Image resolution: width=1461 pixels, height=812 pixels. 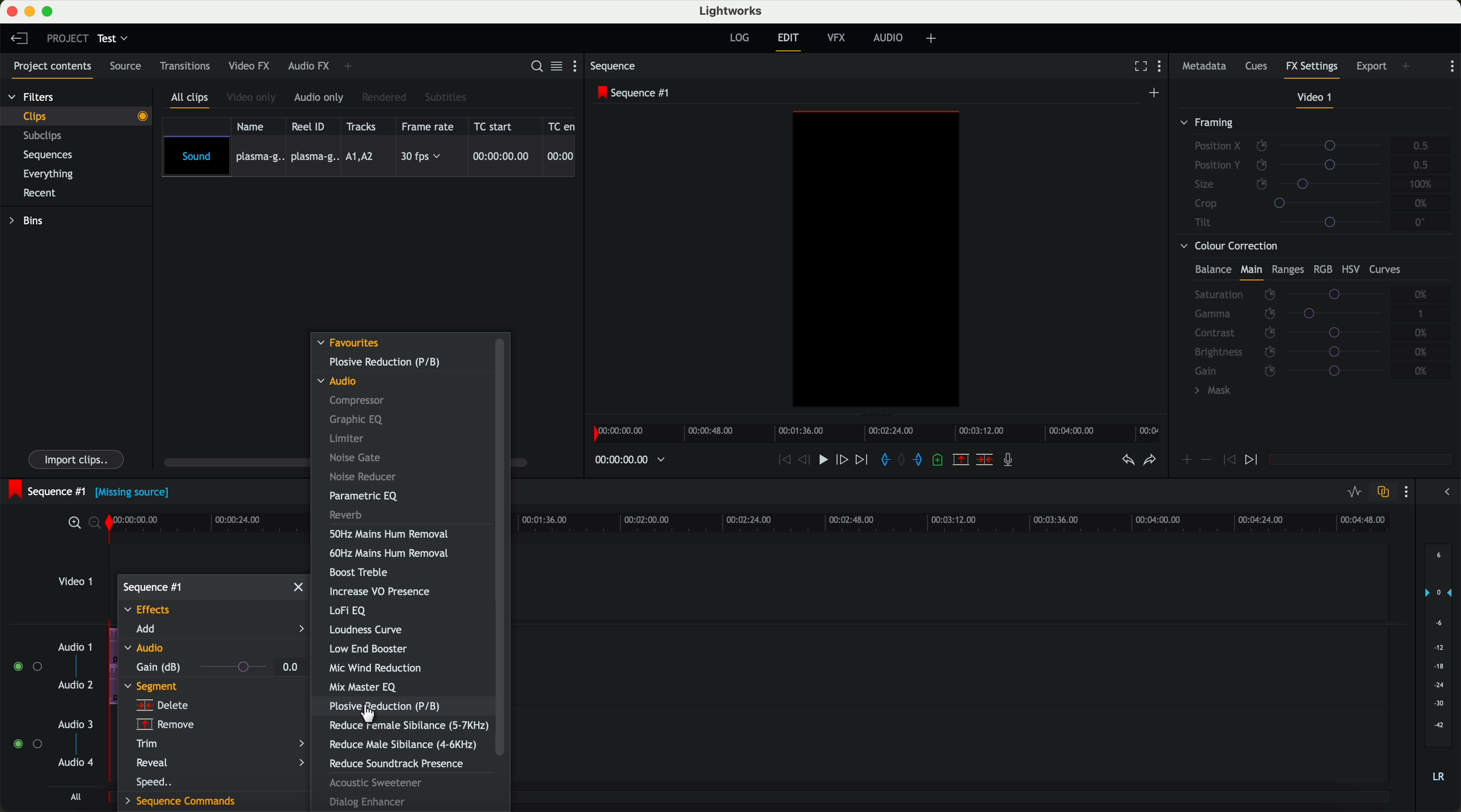 What do you see at coordinates (371, 715) in the screenshot?
I see `cursor` at bounding box center [371, 715].